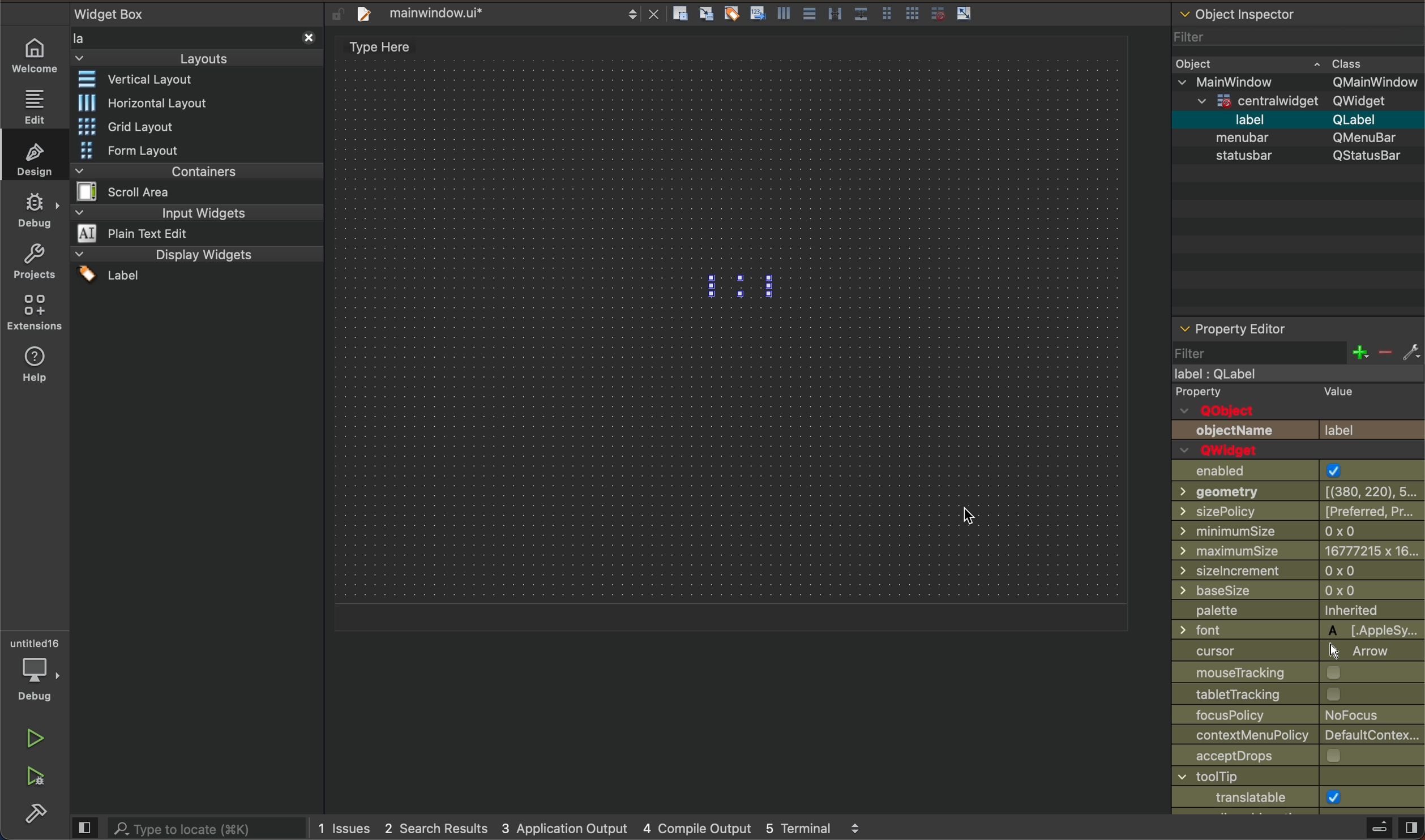 The image size is (1425, 840). What do you see at coordinates (1296, 513) in the screenshot?
I see `size policy` at bounding box center [1296, 513].